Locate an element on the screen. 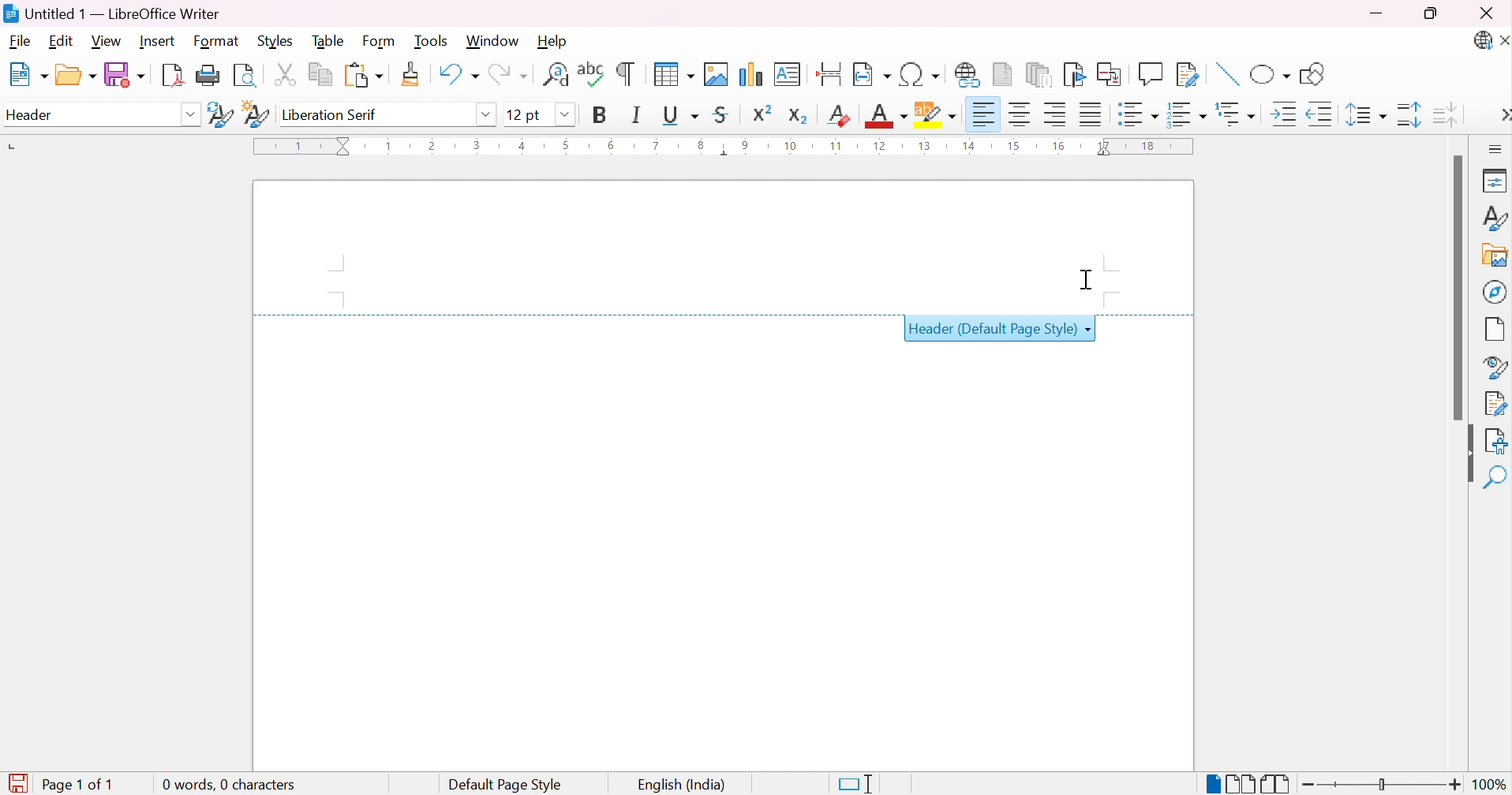 The width and height of the screenshot is (1512, 795). Styles is located at coordinates (281, 42).